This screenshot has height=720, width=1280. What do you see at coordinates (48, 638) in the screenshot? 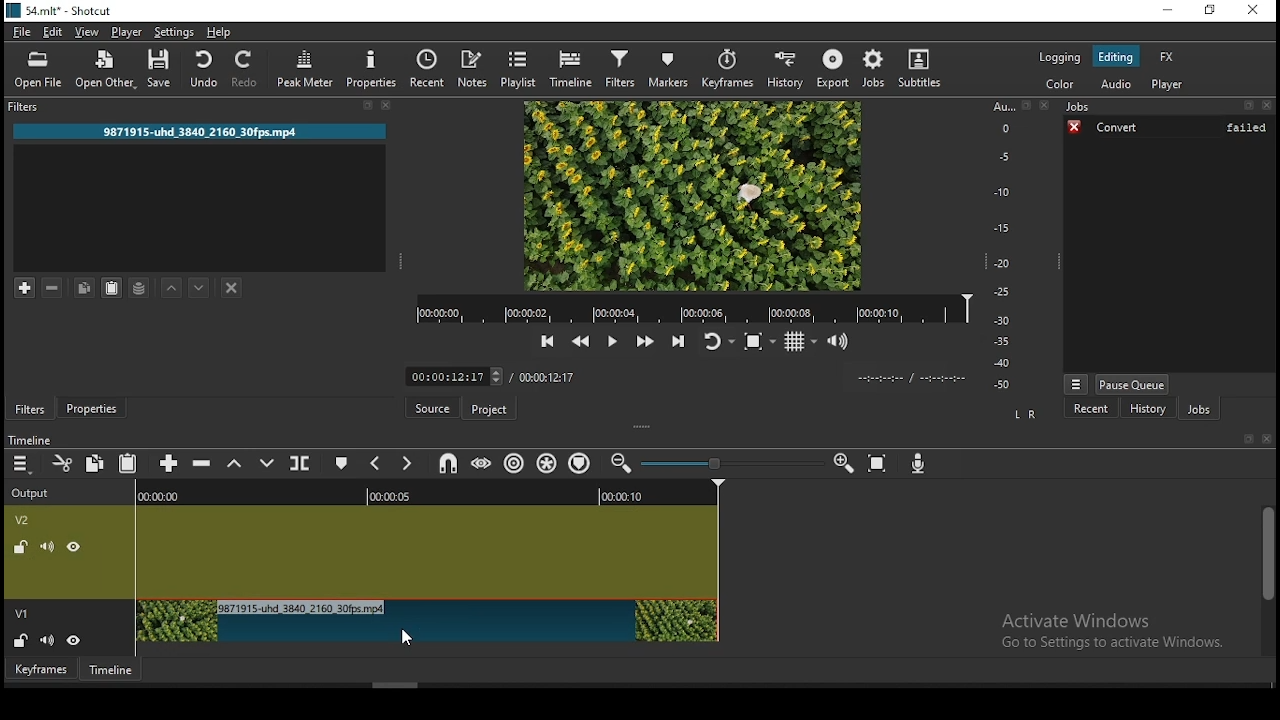
I see `(un)mute` at bounding box center [48, 638].